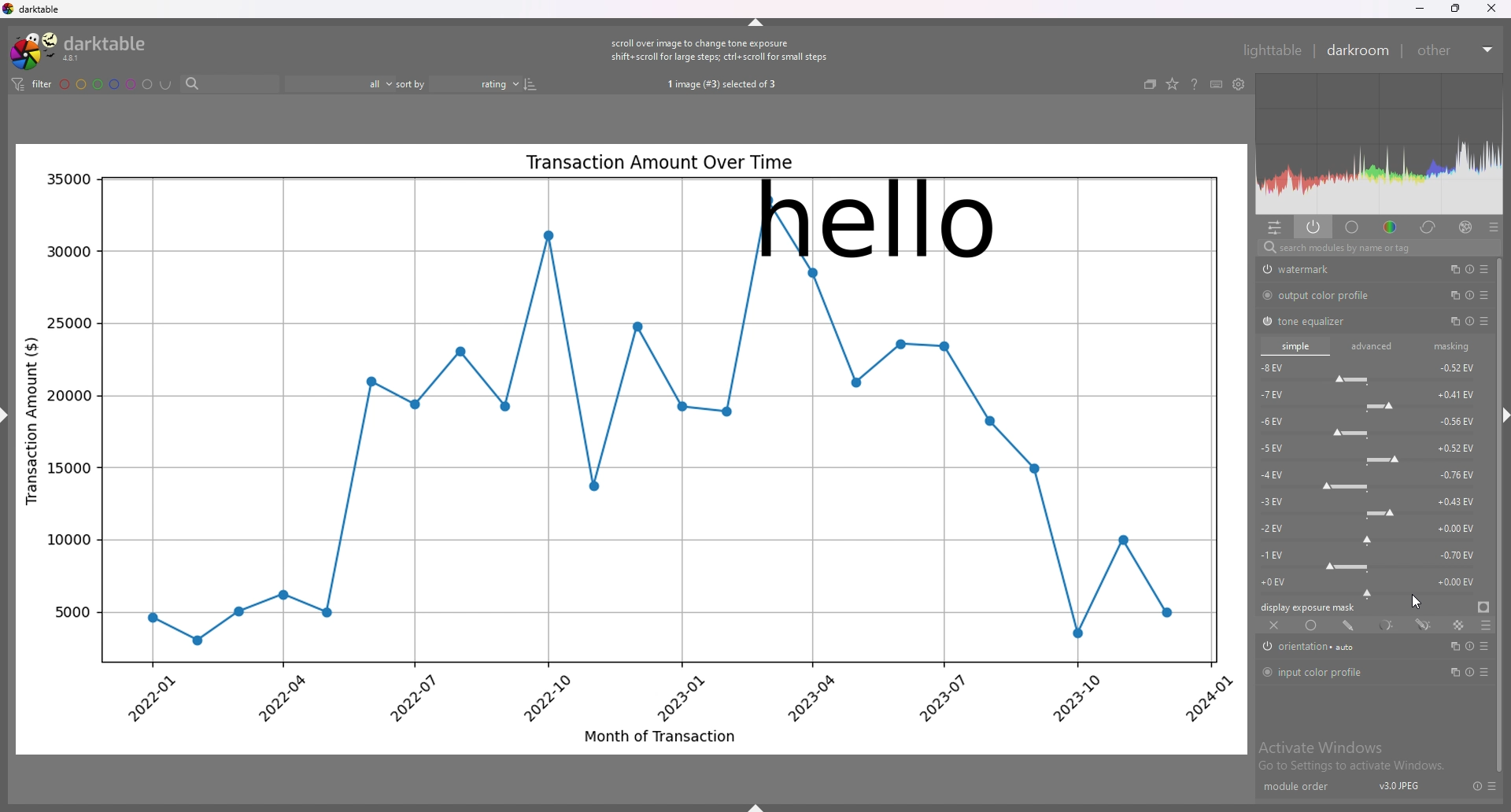 This screenshot has height=812, width=1511. Describe the element at coordinates (1273, 50) in the screenshot. I see `lighttable` at that location.